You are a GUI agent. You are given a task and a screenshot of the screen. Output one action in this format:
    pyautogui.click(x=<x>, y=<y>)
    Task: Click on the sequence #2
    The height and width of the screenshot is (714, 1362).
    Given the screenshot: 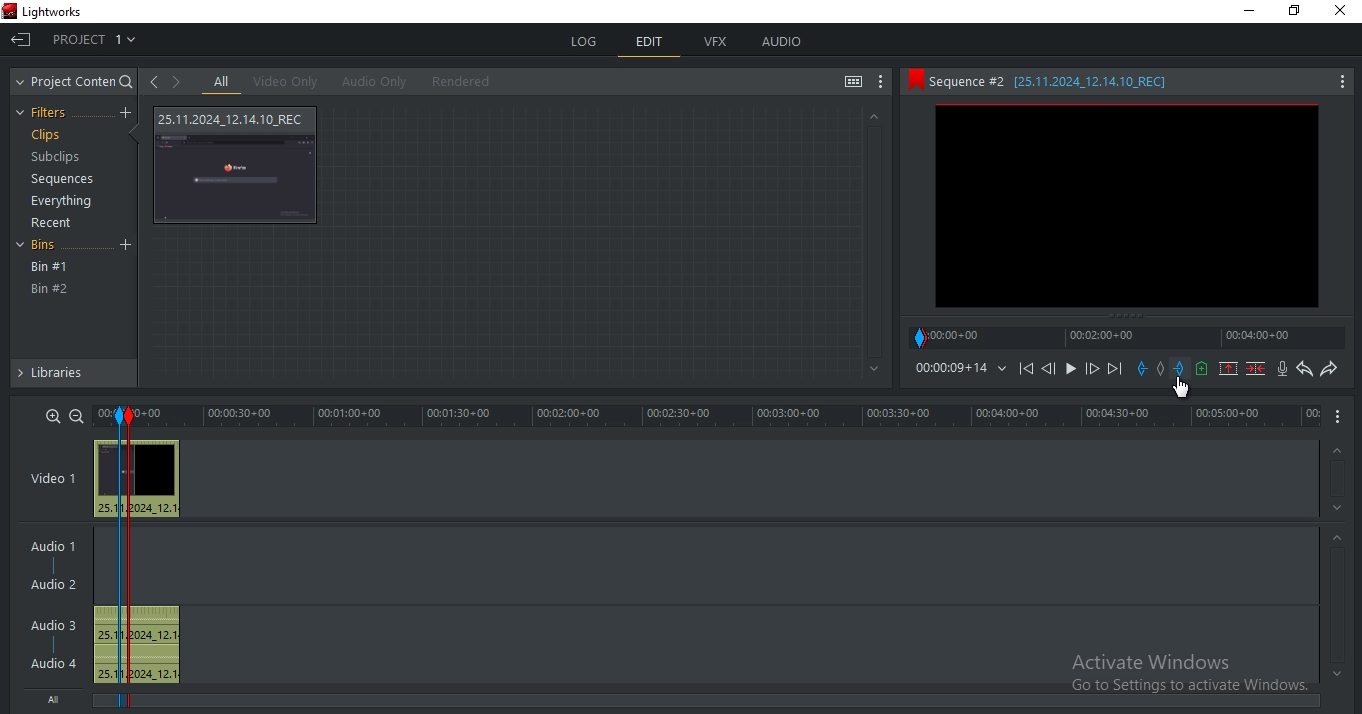 What is the action you would take?
    pyautogui.click(x=1105, y=82)
    